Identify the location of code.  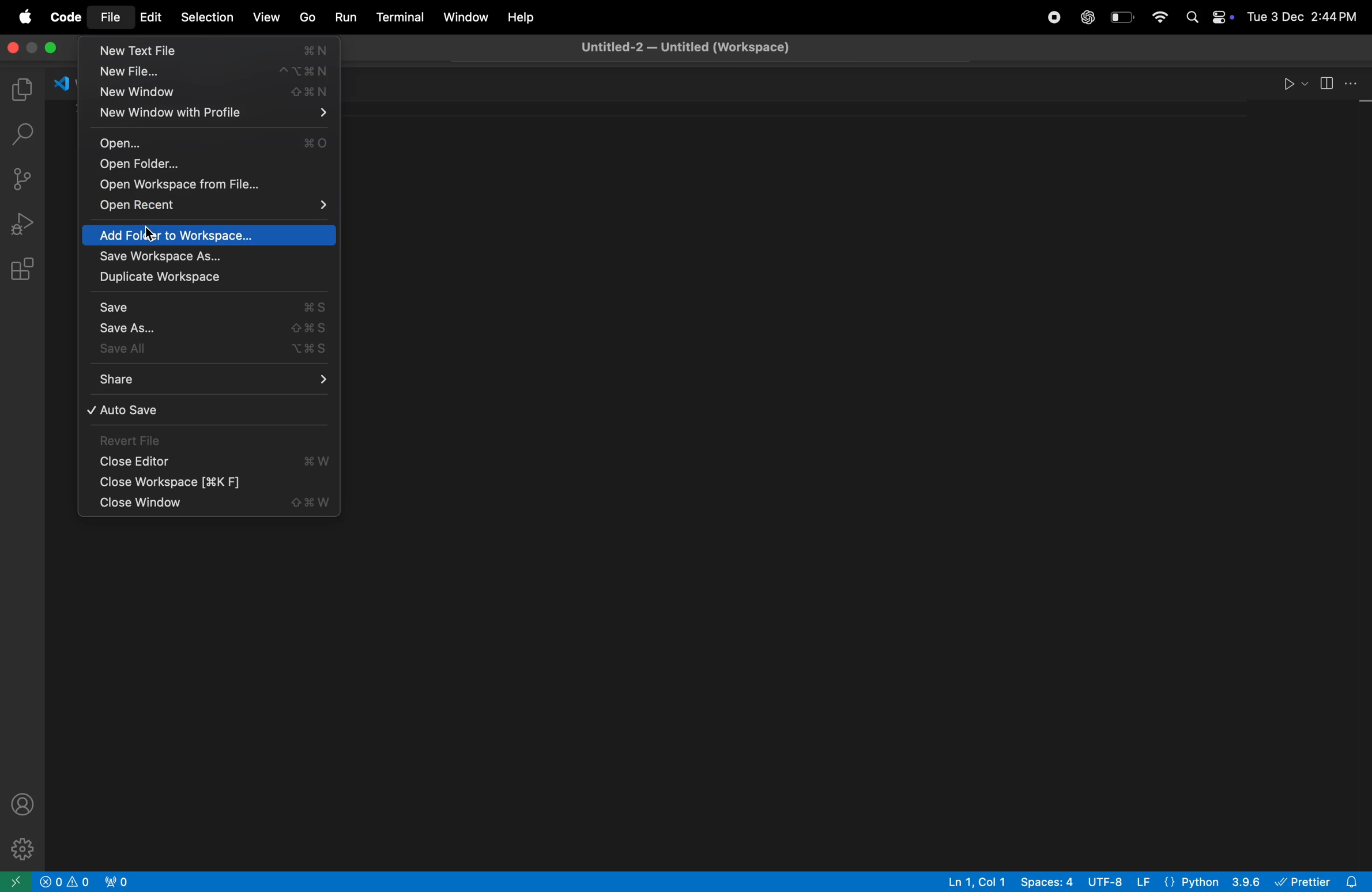
(67, 16).